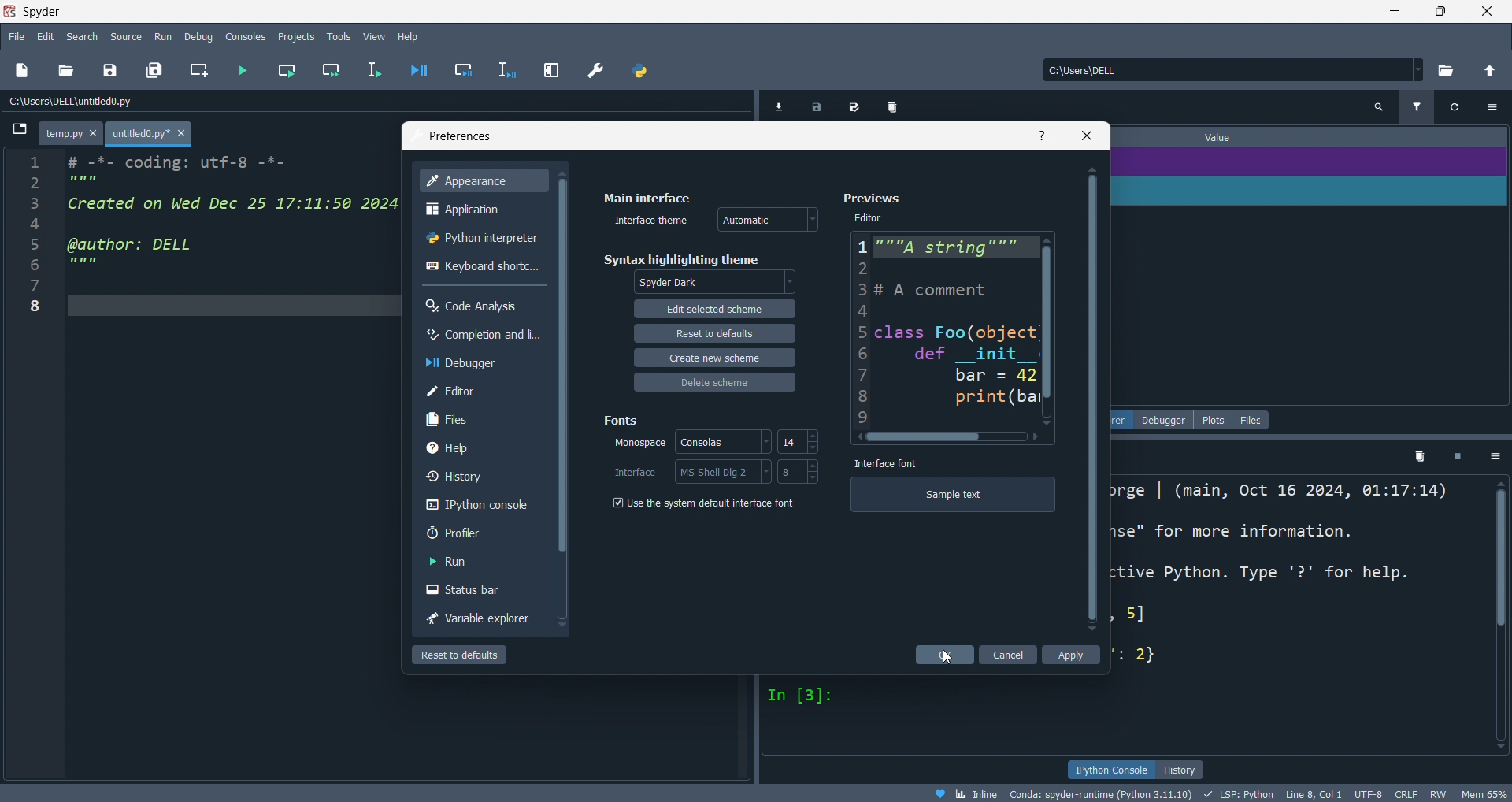 This screenshot has height=802, width=1512. What do you see at coordinates (470, 655) in the screenshot?
I see `reset to default` at bounding box center [470, 655].